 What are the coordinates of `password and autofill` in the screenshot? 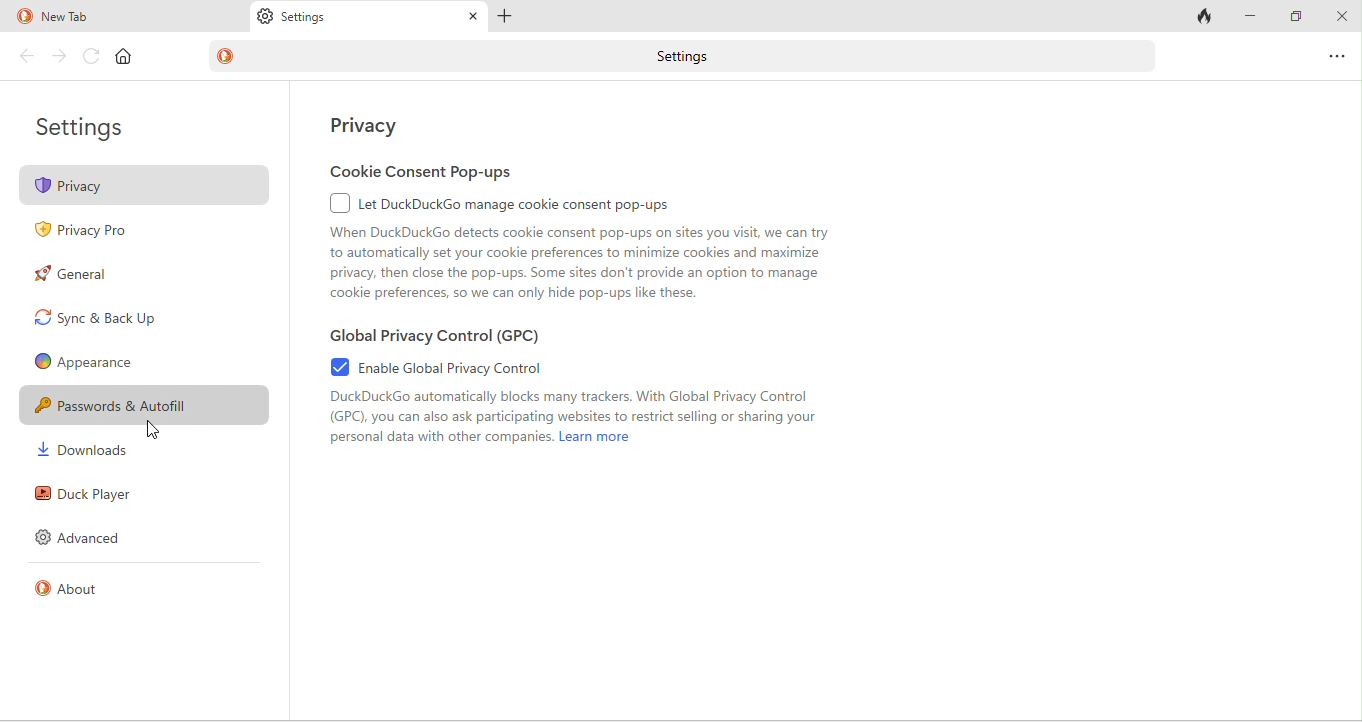 It's located at (144, 407).